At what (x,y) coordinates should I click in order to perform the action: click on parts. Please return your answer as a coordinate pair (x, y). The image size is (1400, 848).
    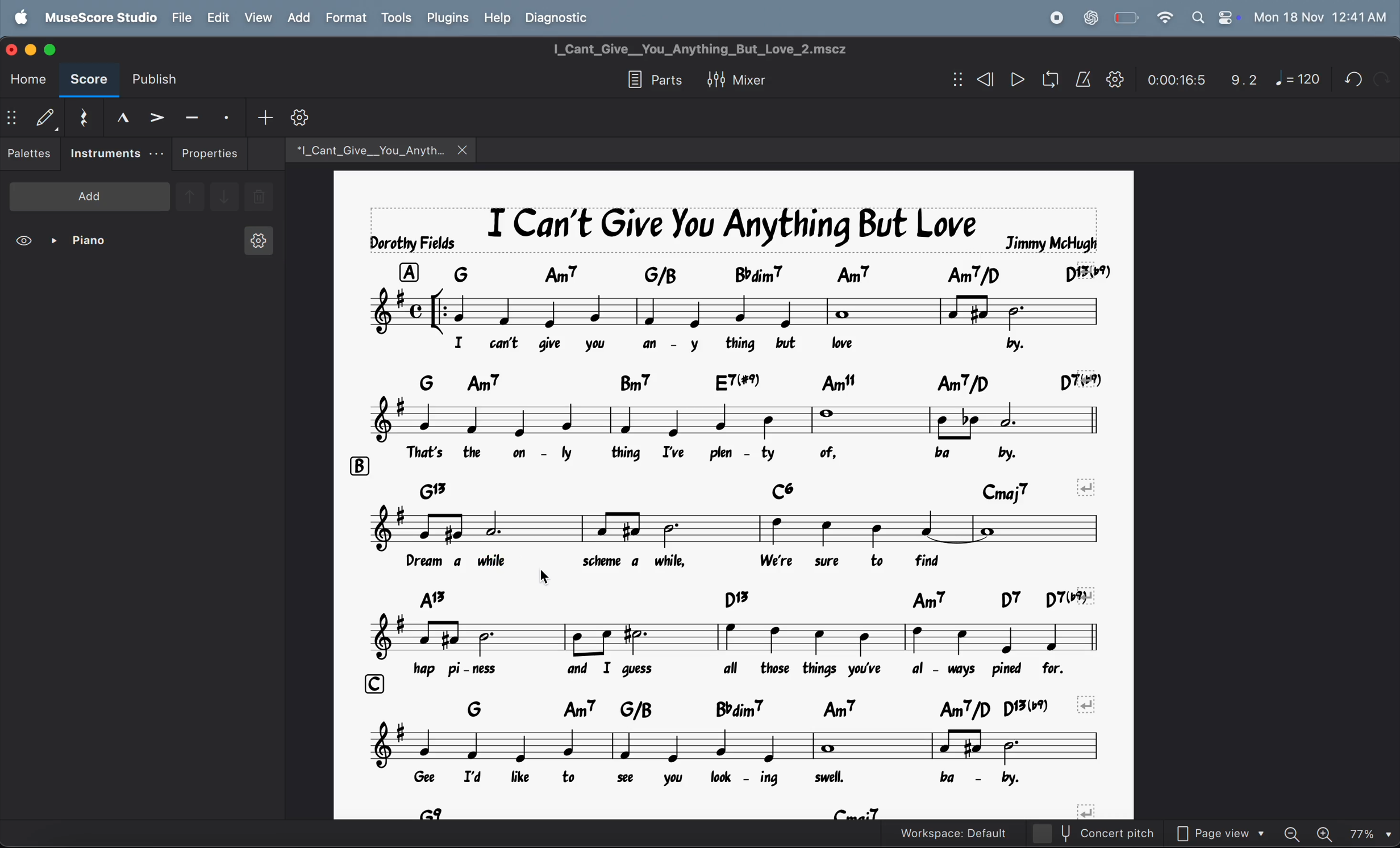
    Looking at the image, I should click on (648, 80).